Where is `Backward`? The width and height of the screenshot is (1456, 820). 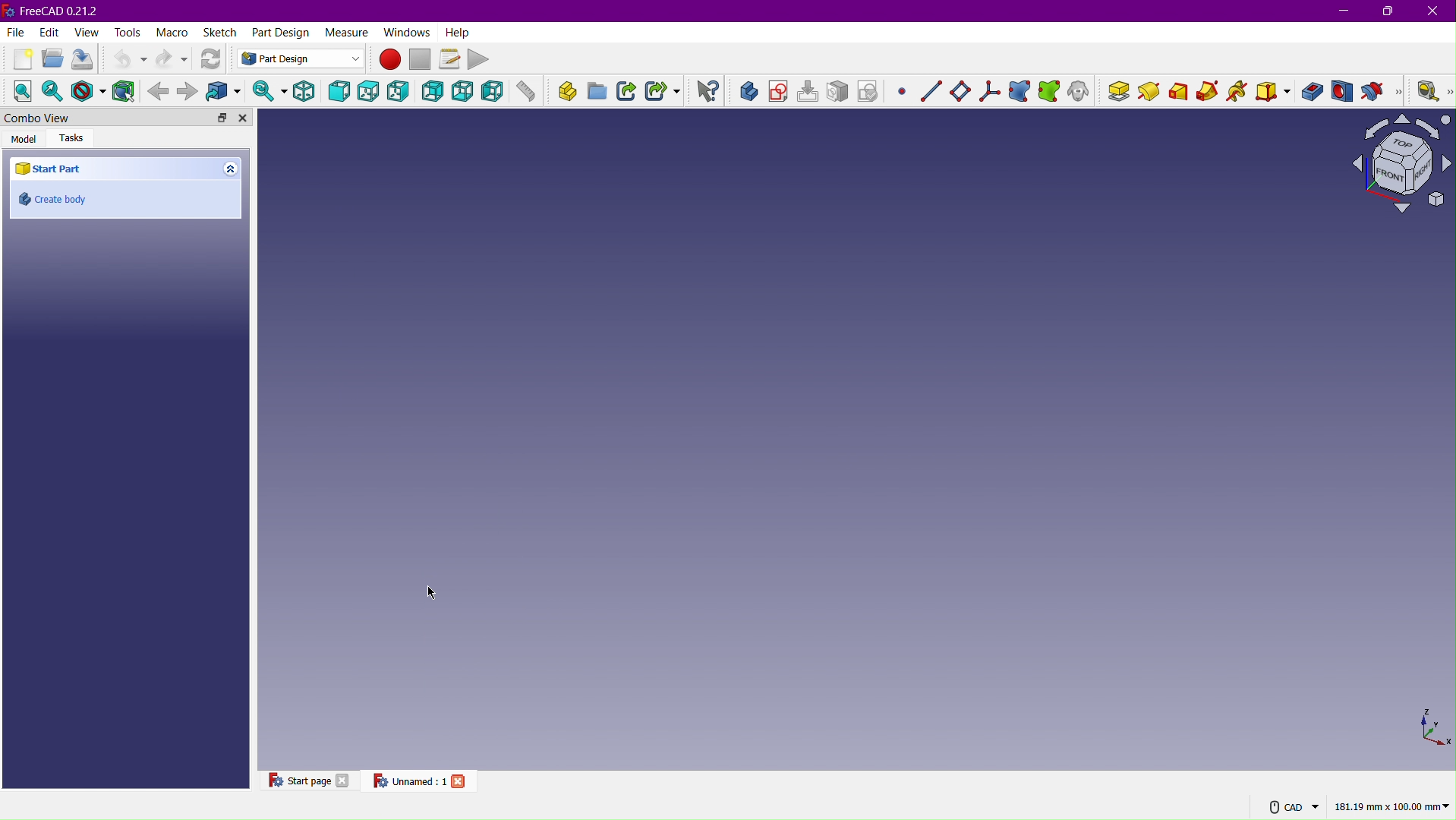
Backward is located at coordinates (158, 93).